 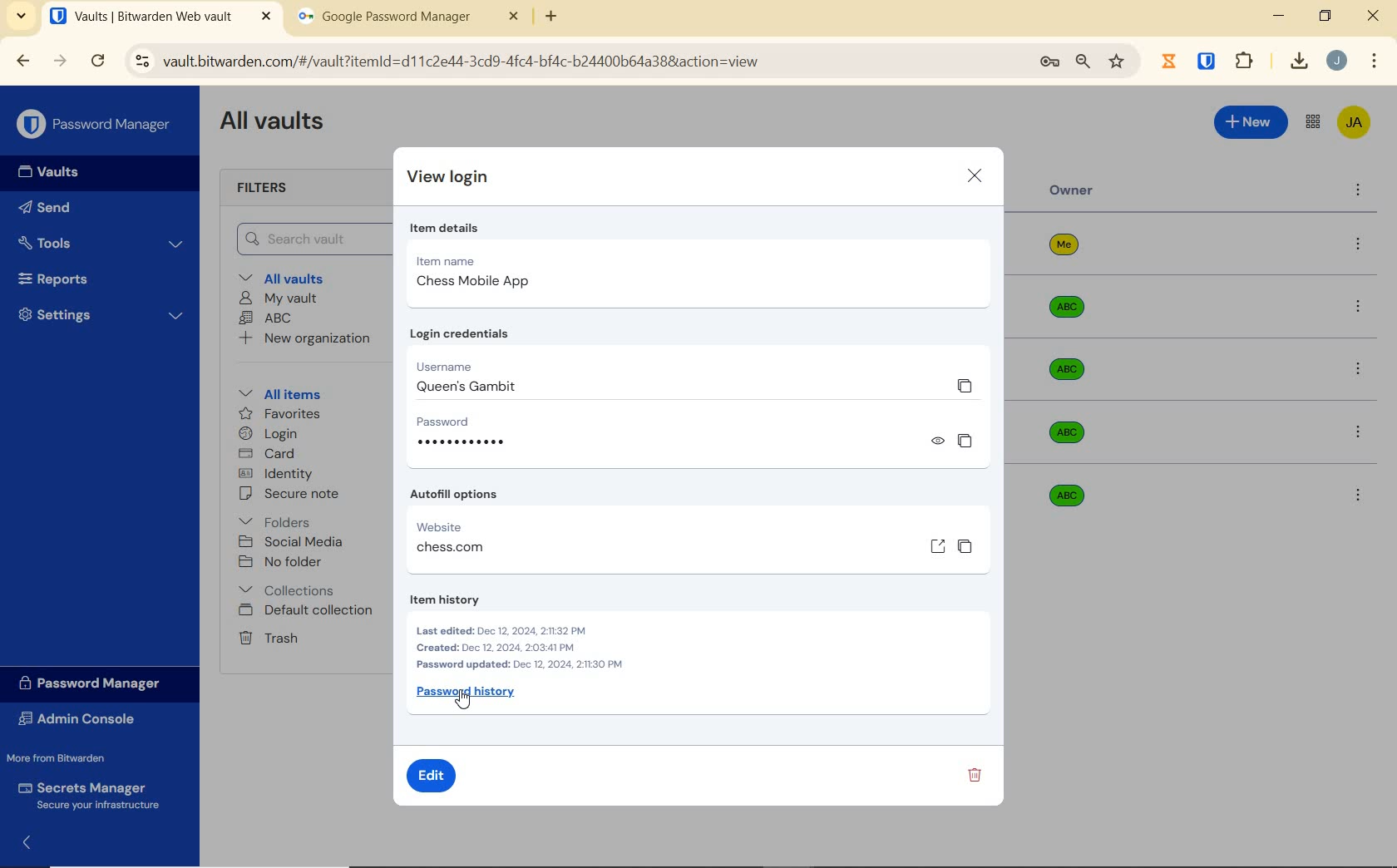 I want to click on chess mobile app, so click(x=475, y=283).